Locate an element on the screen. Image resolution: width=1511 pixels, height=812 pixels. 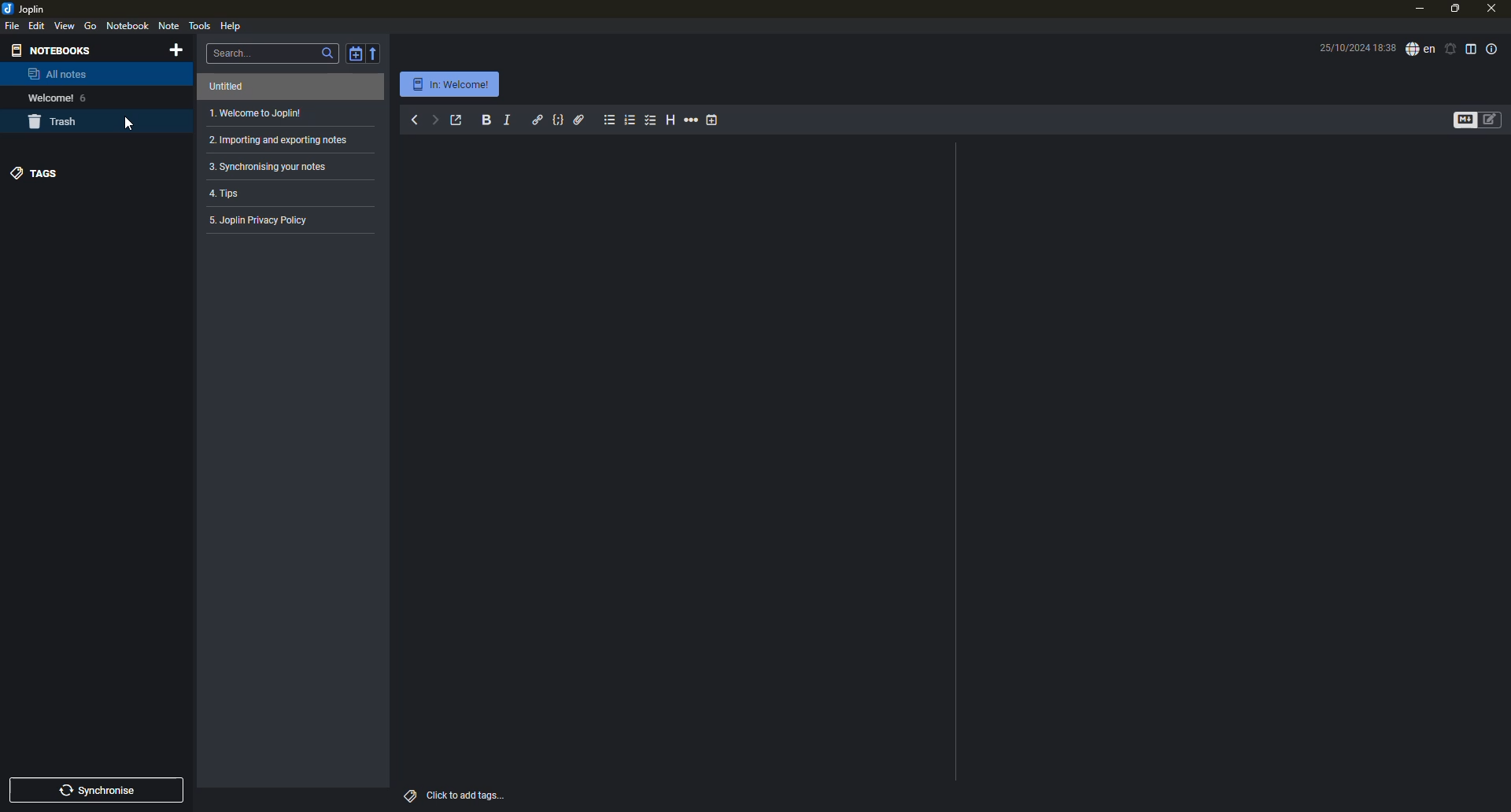
notebooks is located at coordinates (54, 50).